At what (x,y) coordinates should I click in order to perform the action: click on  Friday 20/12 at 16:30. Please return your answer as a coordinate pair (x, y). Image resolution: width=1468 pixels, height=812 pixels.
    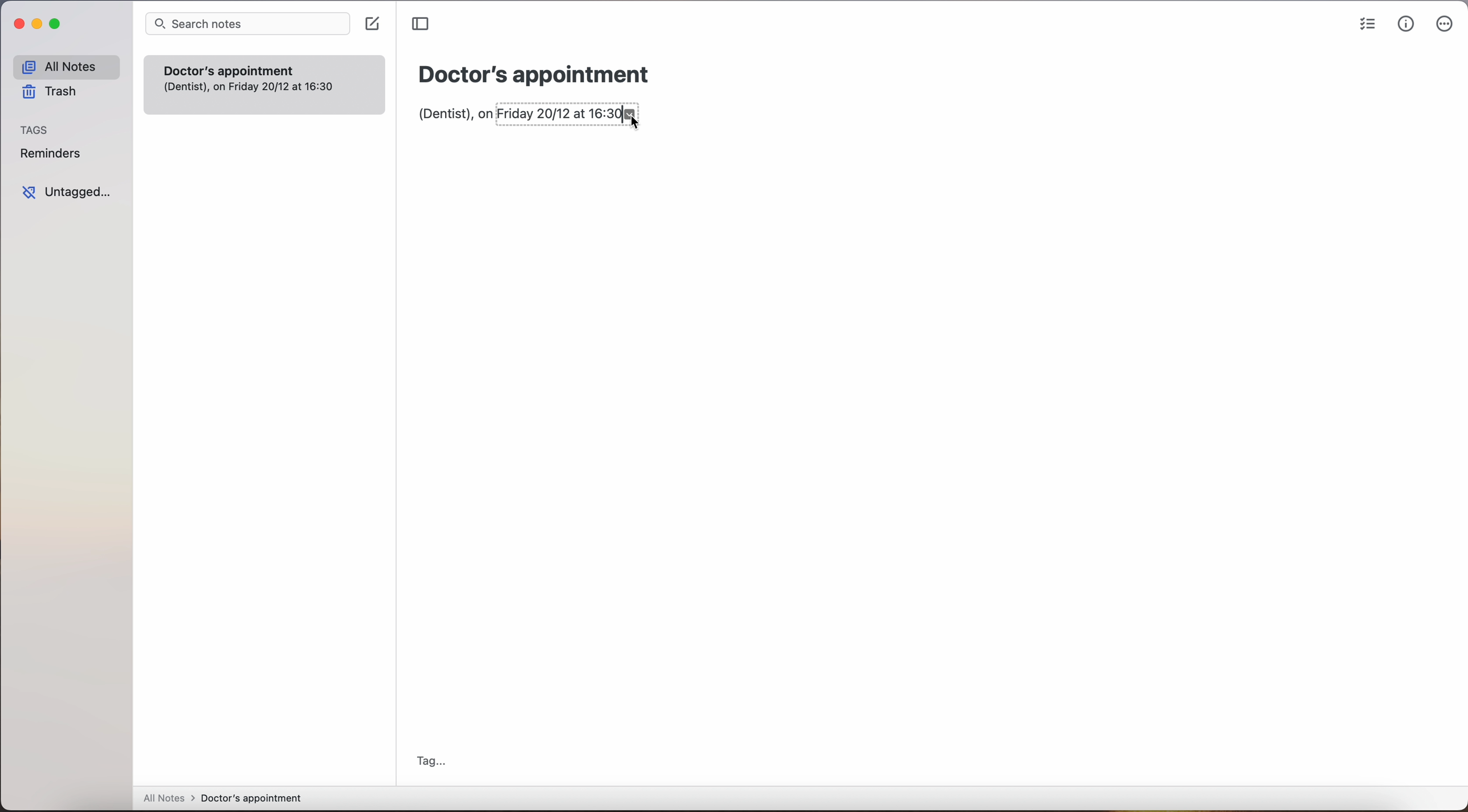
    Looking at the image, I should click on (574, 119).